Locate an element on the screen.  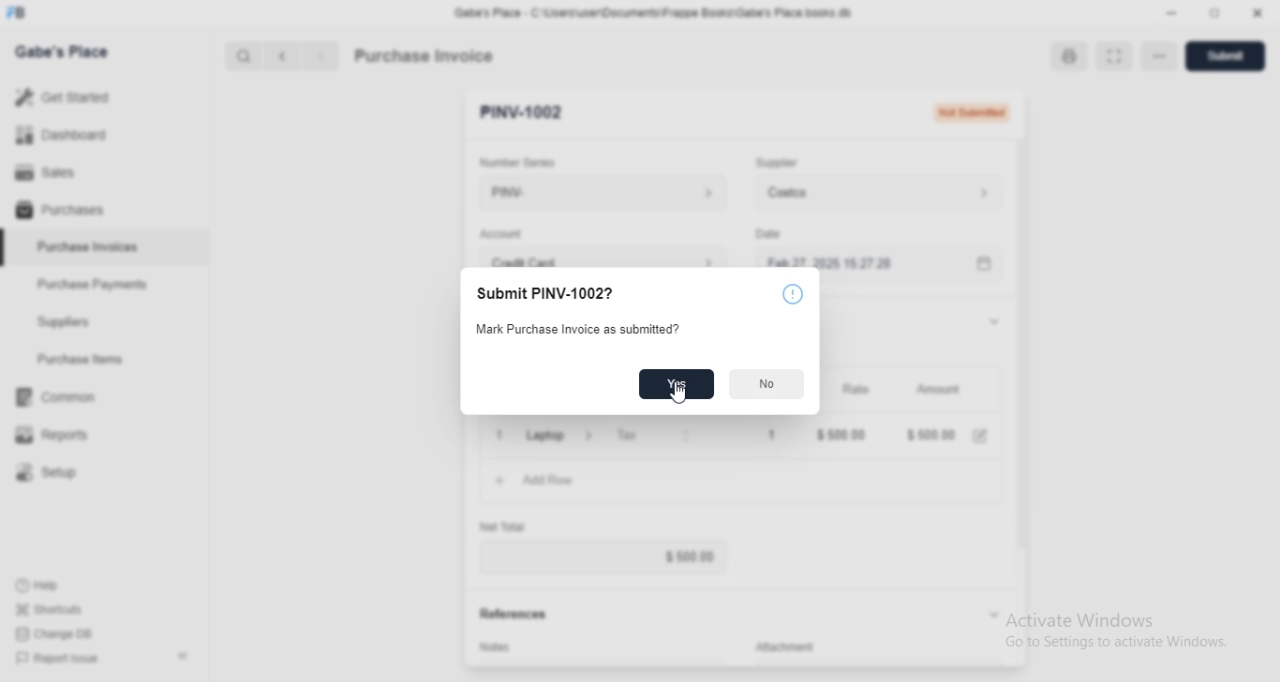
Help is located at coordinates (49, 586).